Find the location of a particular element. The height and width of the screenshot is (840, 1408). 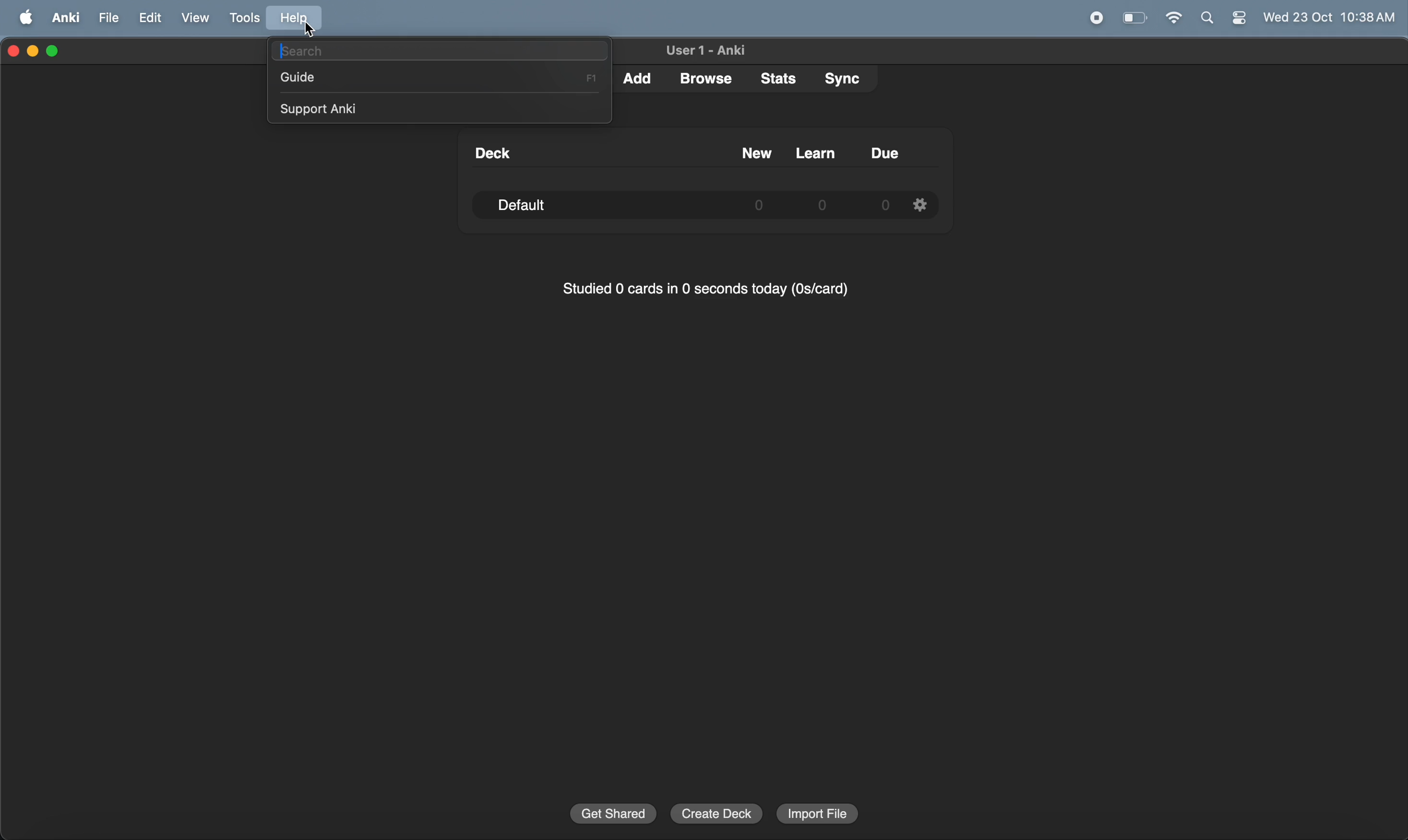

ankii is located at coordinates (62, 19).